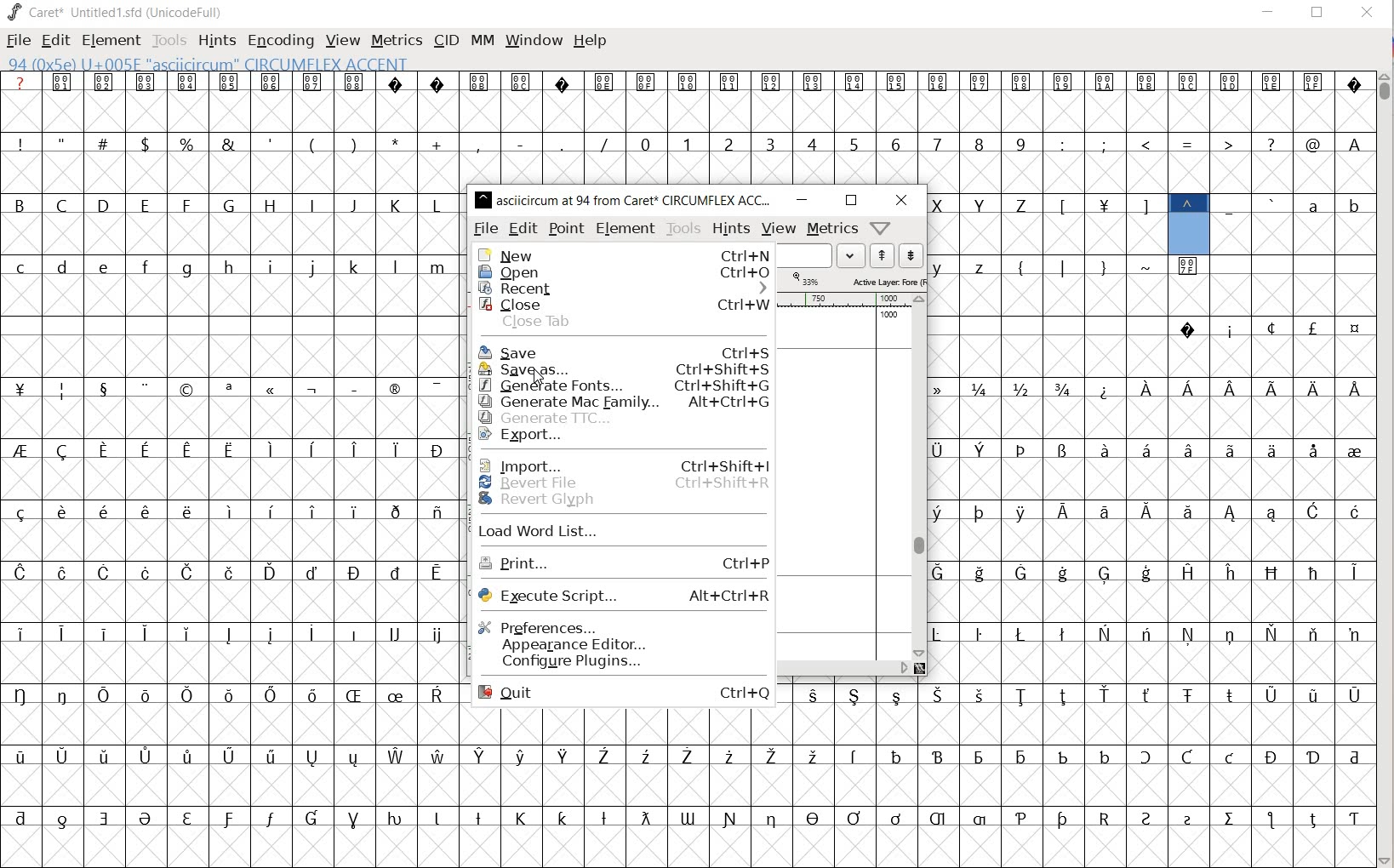 The image size is (1394, 868). What do you see at coordinates (883, 257) in the screenshot?
I see `show the next word on the list` at bounding box center [883, 257].